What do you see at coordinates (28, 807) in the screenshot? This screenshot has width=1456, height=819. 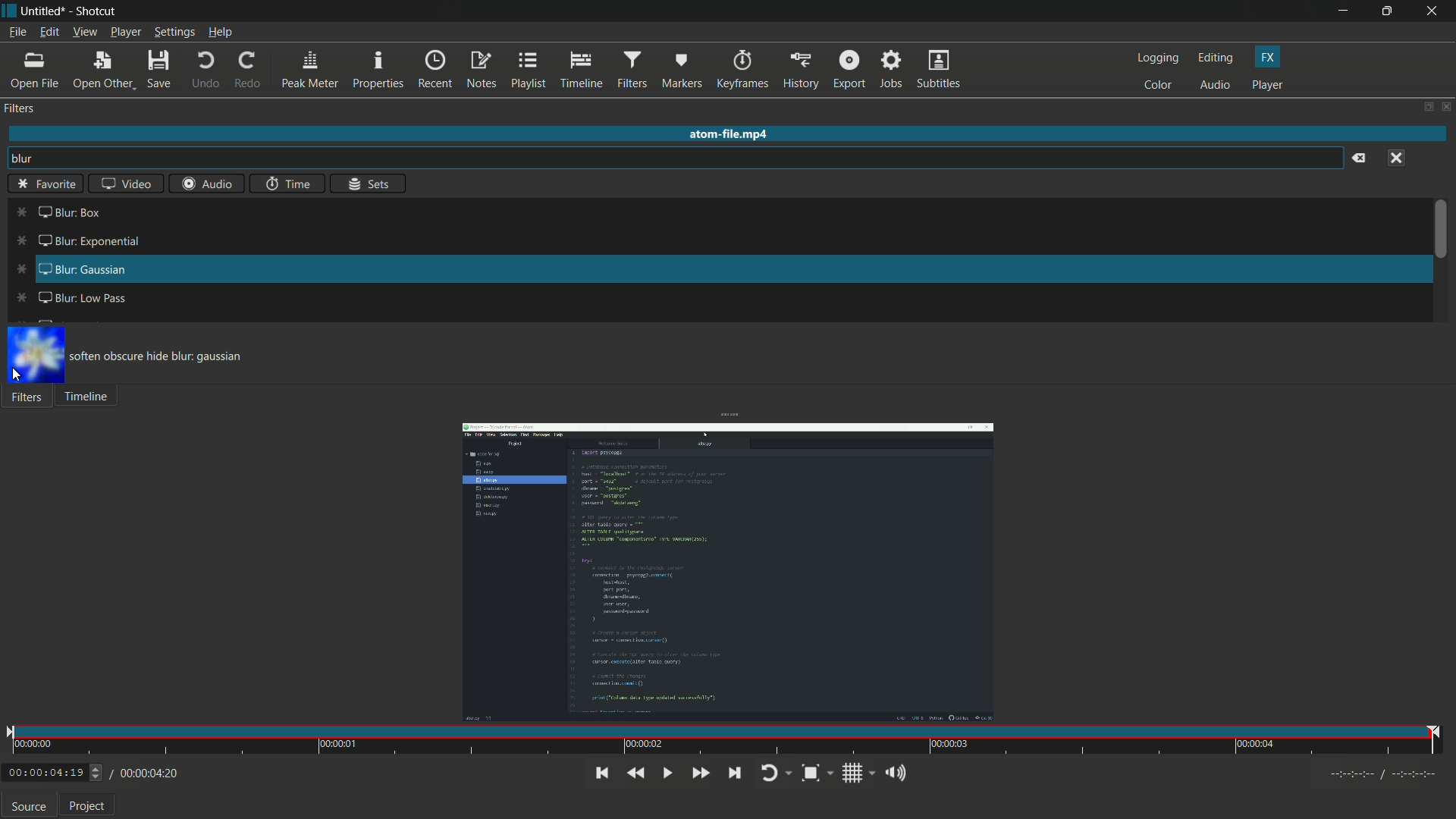 I see `source` at bounding box center [28, 807].